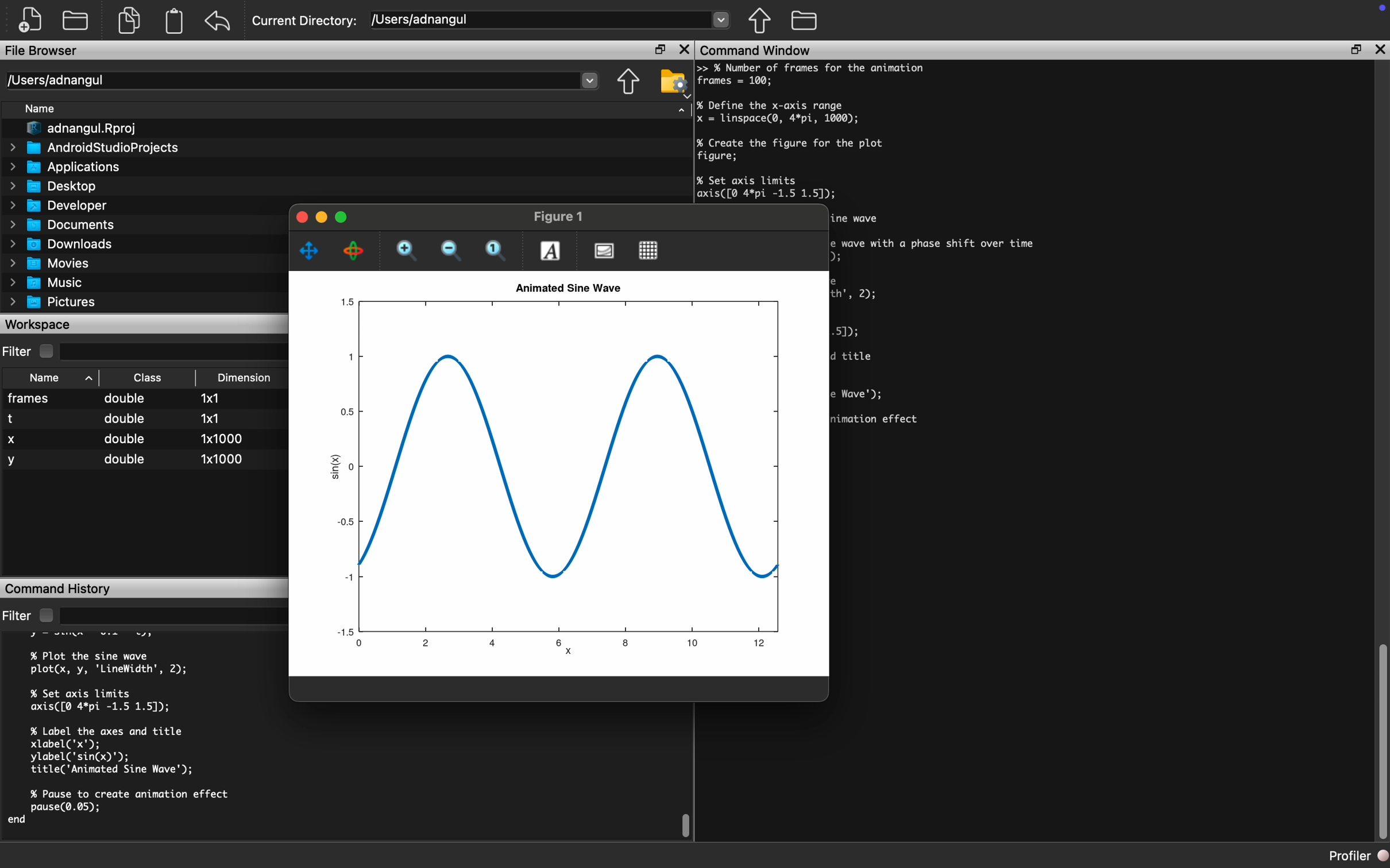 The image size is (1390, 868). What do you see at coordinates (604, 253) in the screenshot?
I see `Plot` at bounding box center [604, 253].